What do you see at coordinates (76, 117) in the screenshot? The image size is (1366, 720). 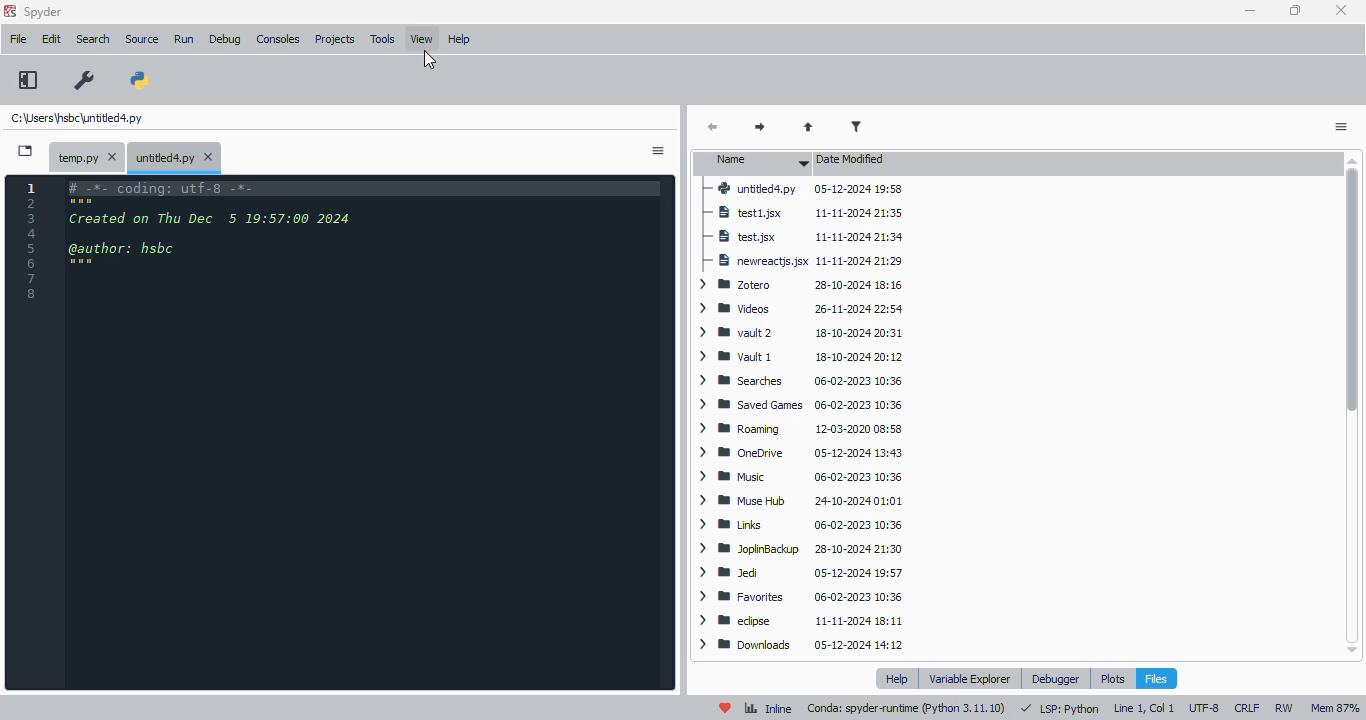 I see `untitled4.py` at bounding box center [76, 117].